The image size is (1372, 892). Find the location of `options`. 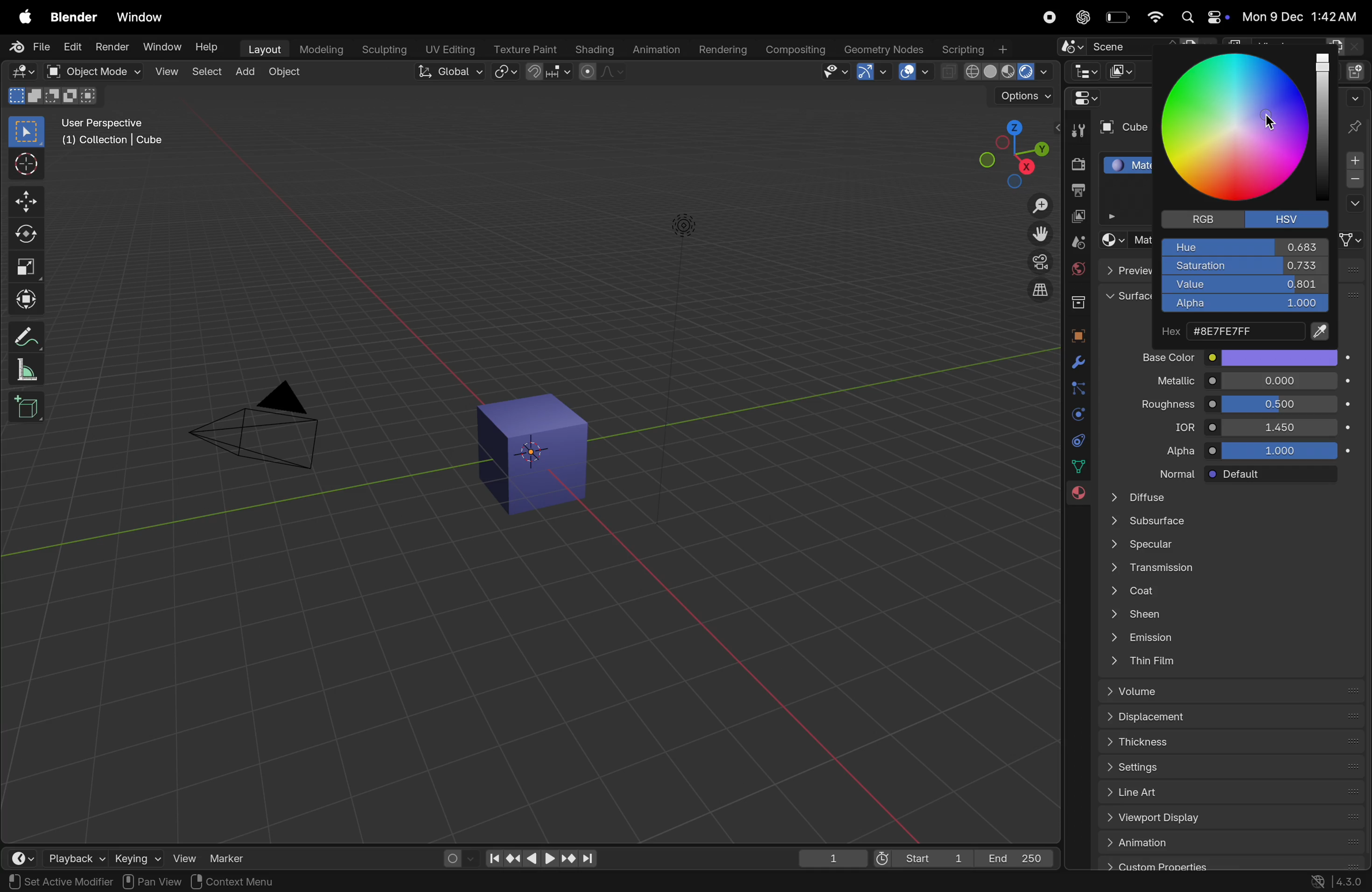

options is located at coordinates (1023, 97).